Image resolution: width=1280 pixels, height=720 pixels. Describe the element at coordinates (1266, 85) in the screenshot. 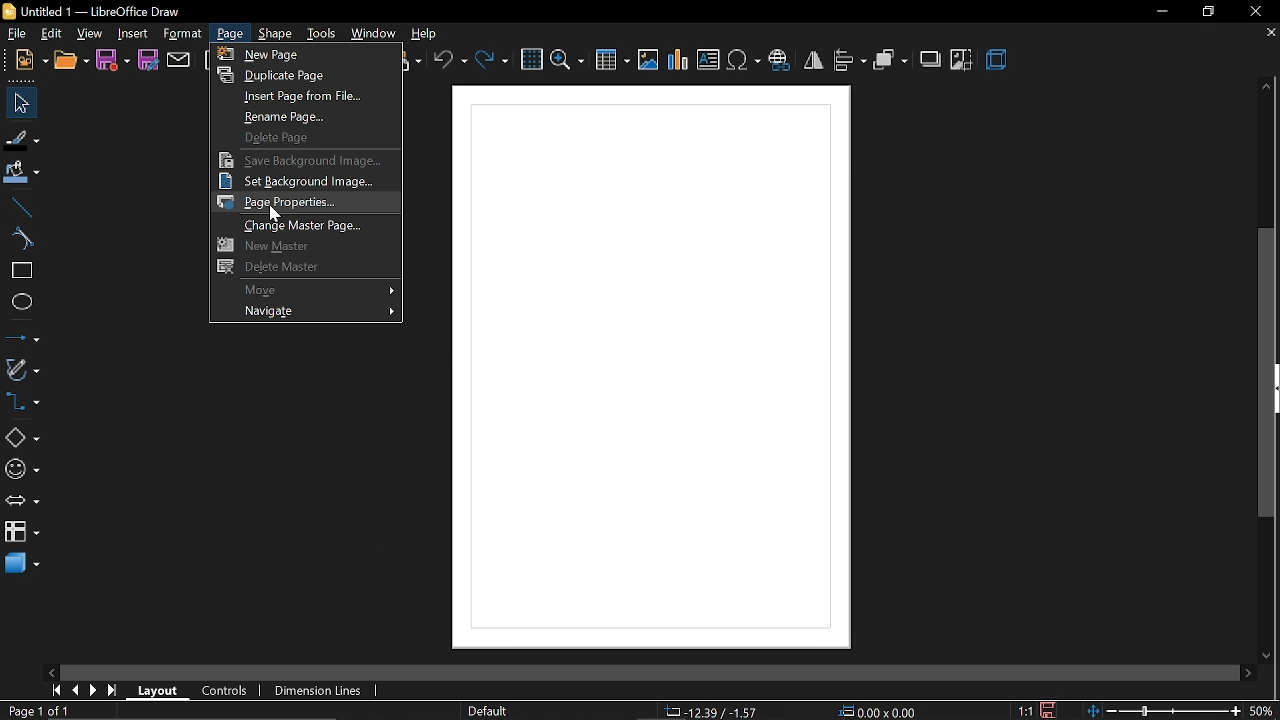

I see `move up` at that location.